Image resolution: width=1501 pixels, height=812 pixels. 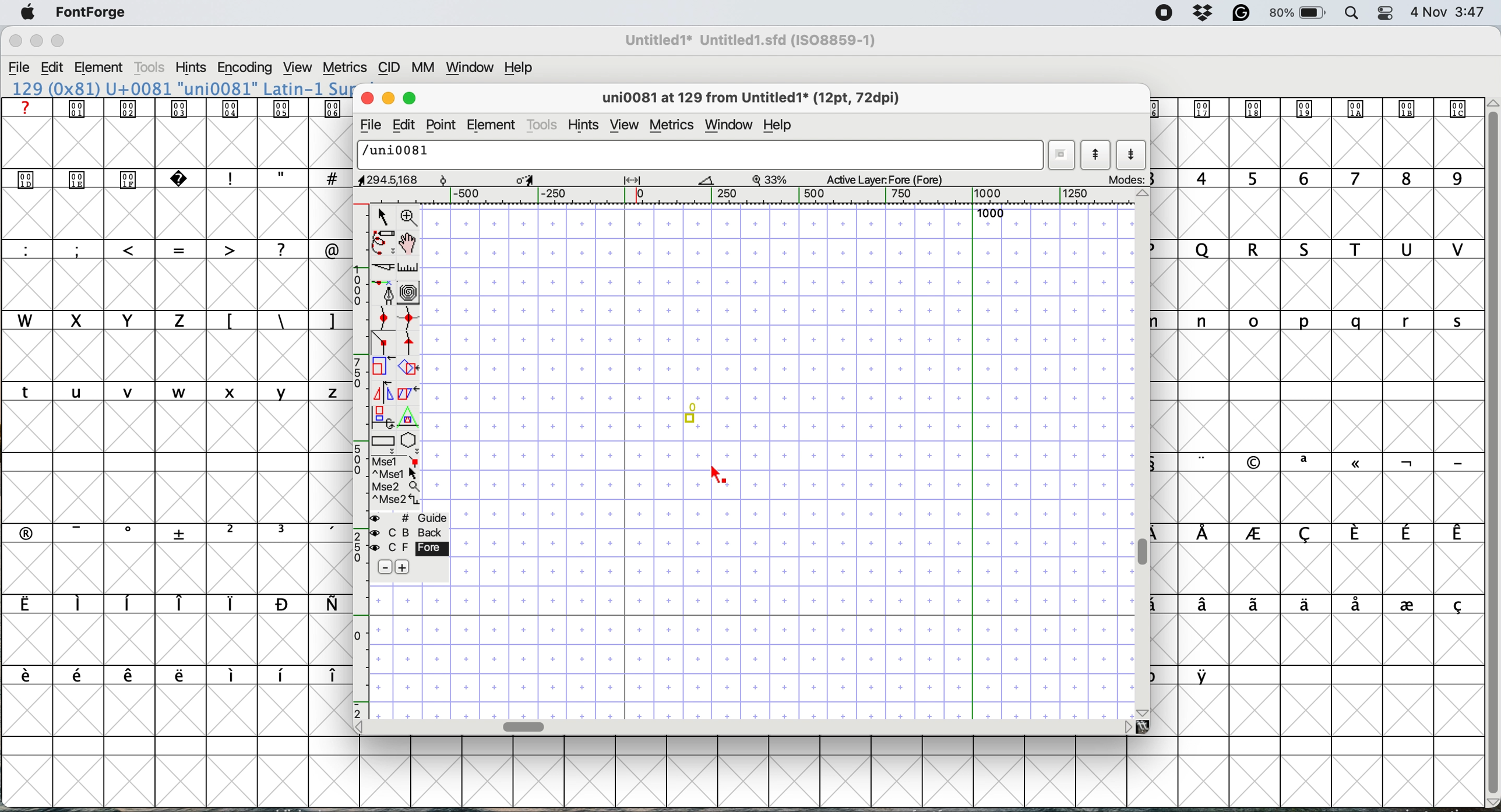 What do you see at coordinates (1297, 14) in the screenshot?
I see `Battery Percentage and Status` at bounding box center [1297, 14].